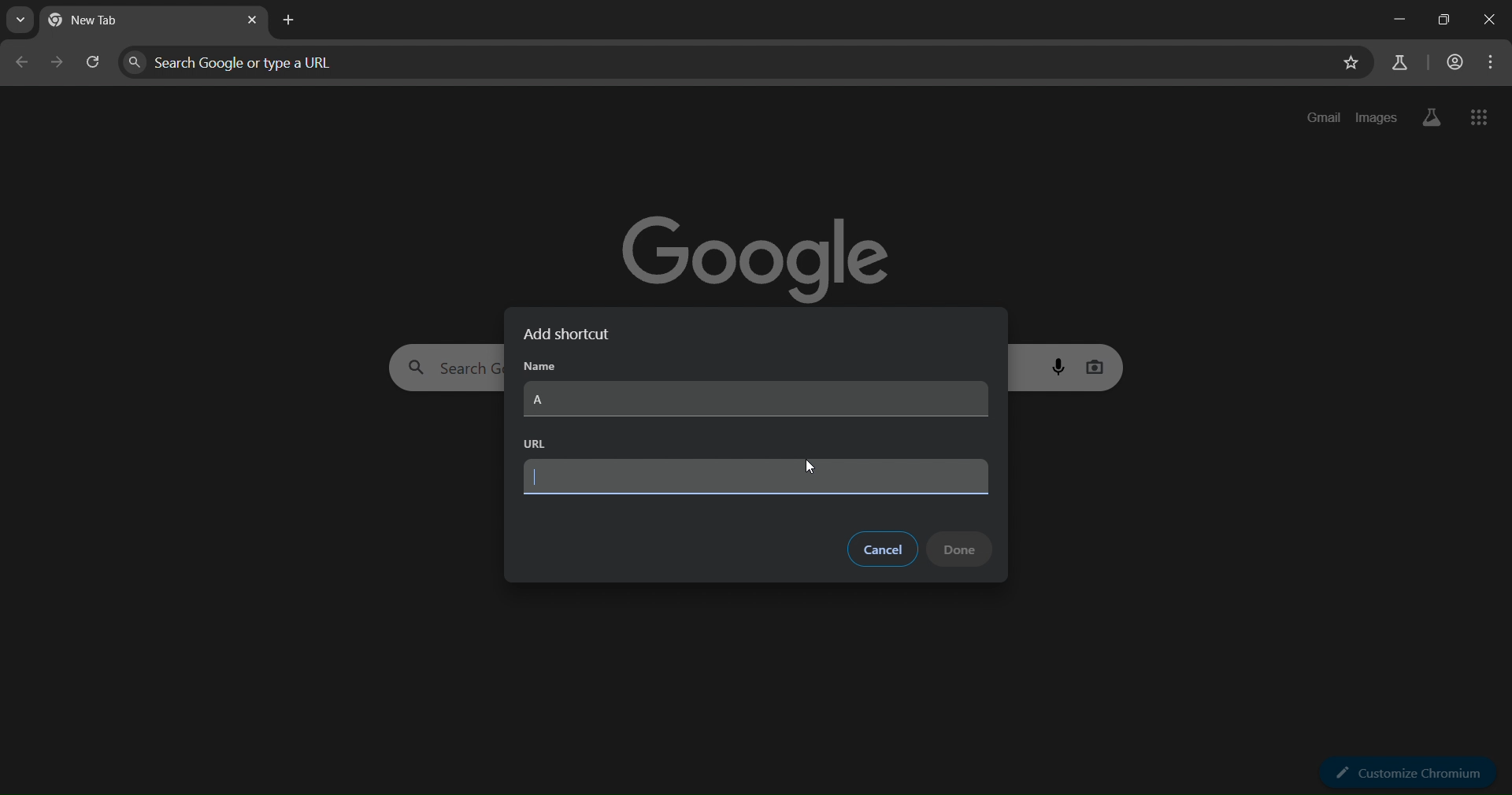  I want to click on reload page, so click(94, 66).